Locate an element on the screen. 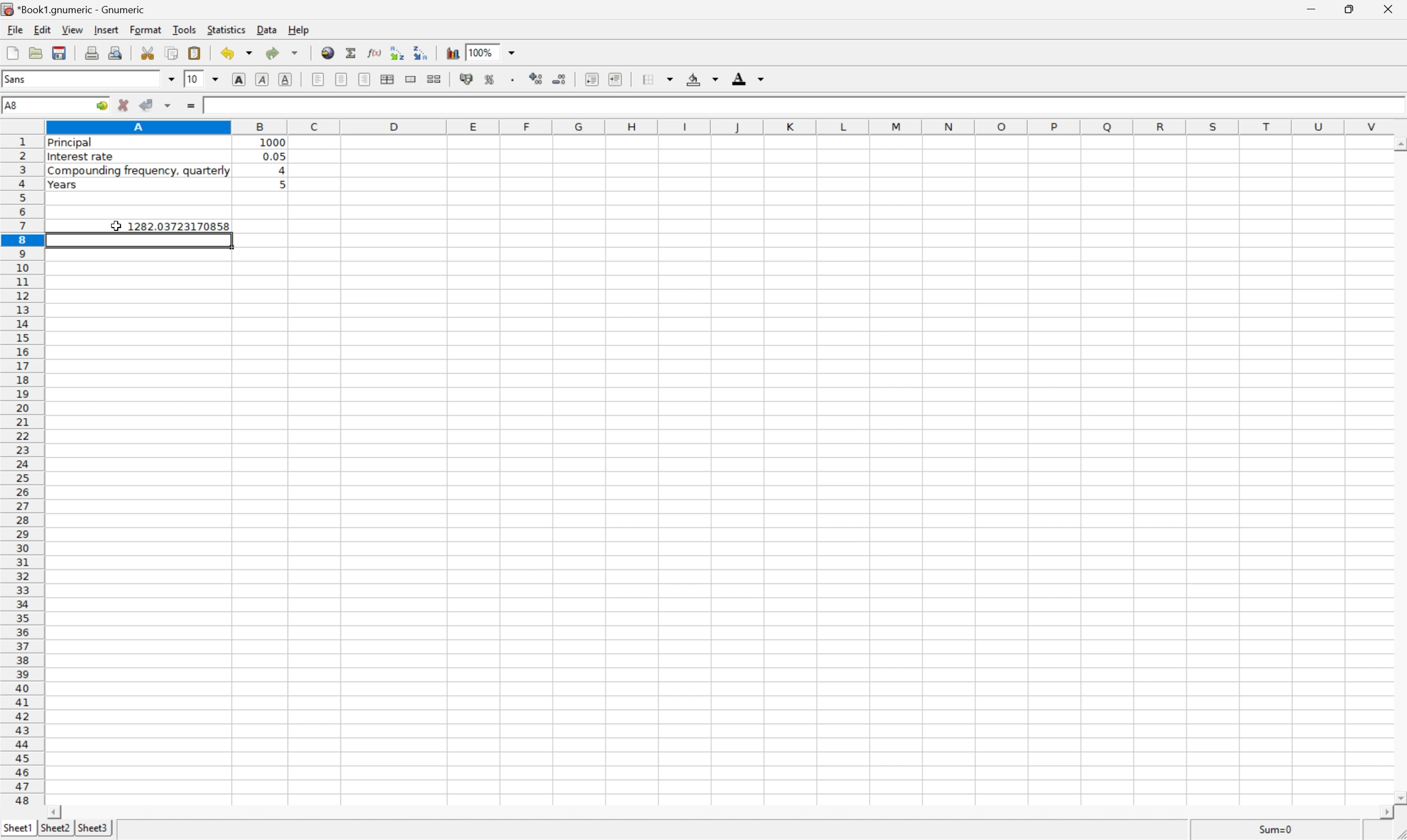 This screenshot has height=840, width=1407. copy is located at coordinates (172, 52).